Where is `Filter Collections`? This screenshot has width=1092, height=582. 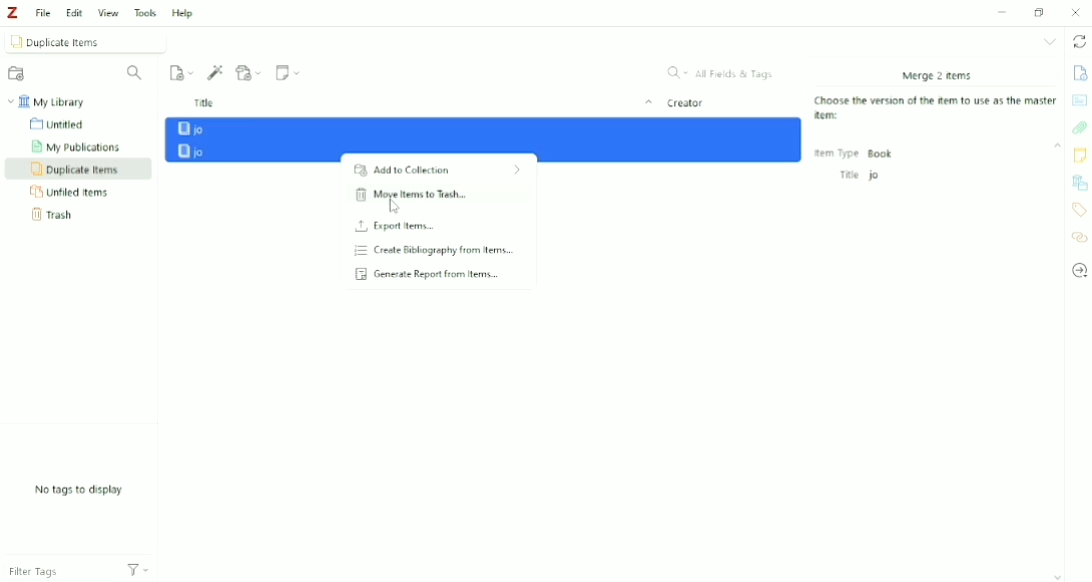 Filter Collections is located at coordinates (138, 73).